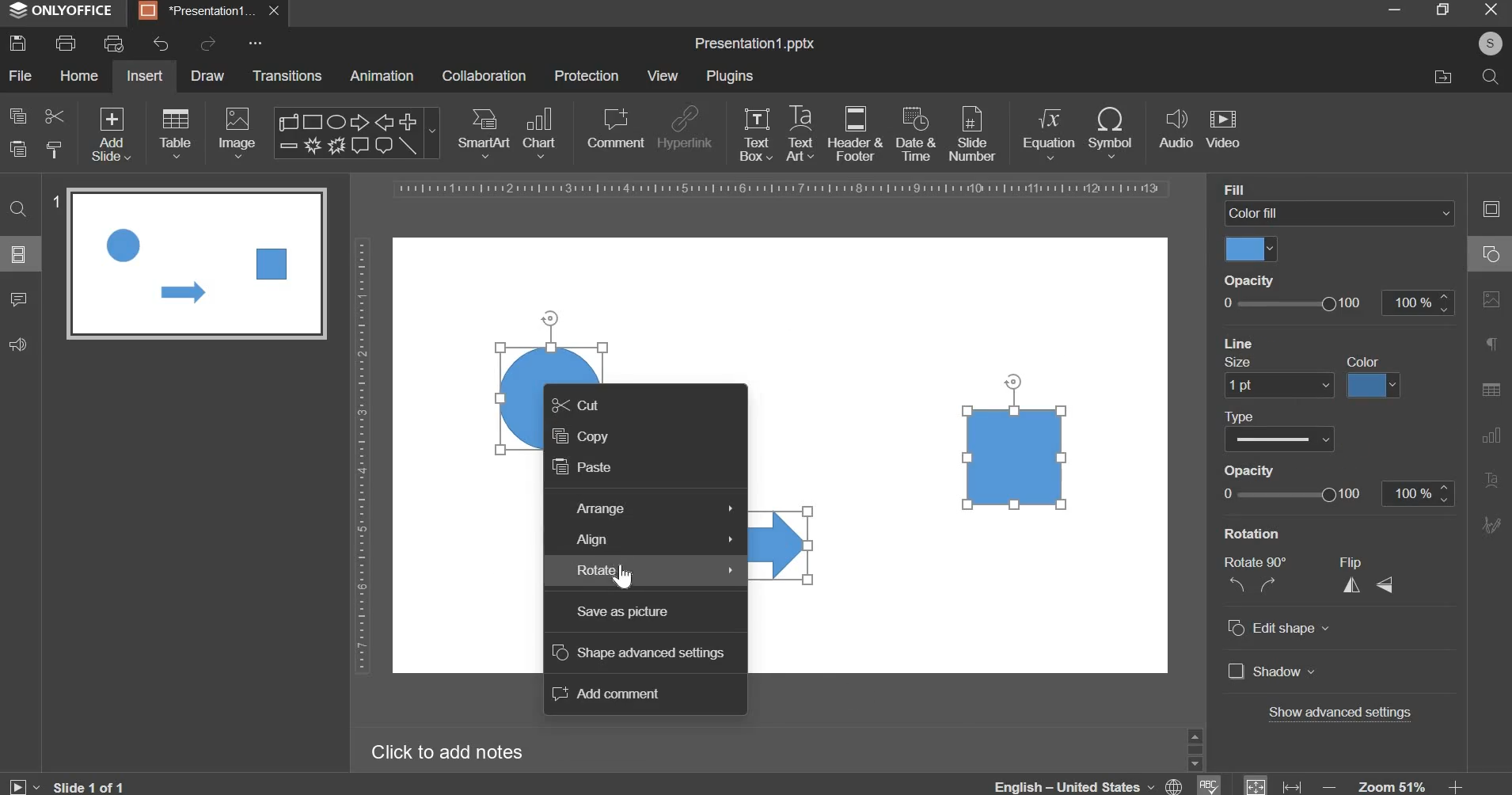  Describe the element at coordinates (18, 116) in the screenshot. I see `copy` at that location.